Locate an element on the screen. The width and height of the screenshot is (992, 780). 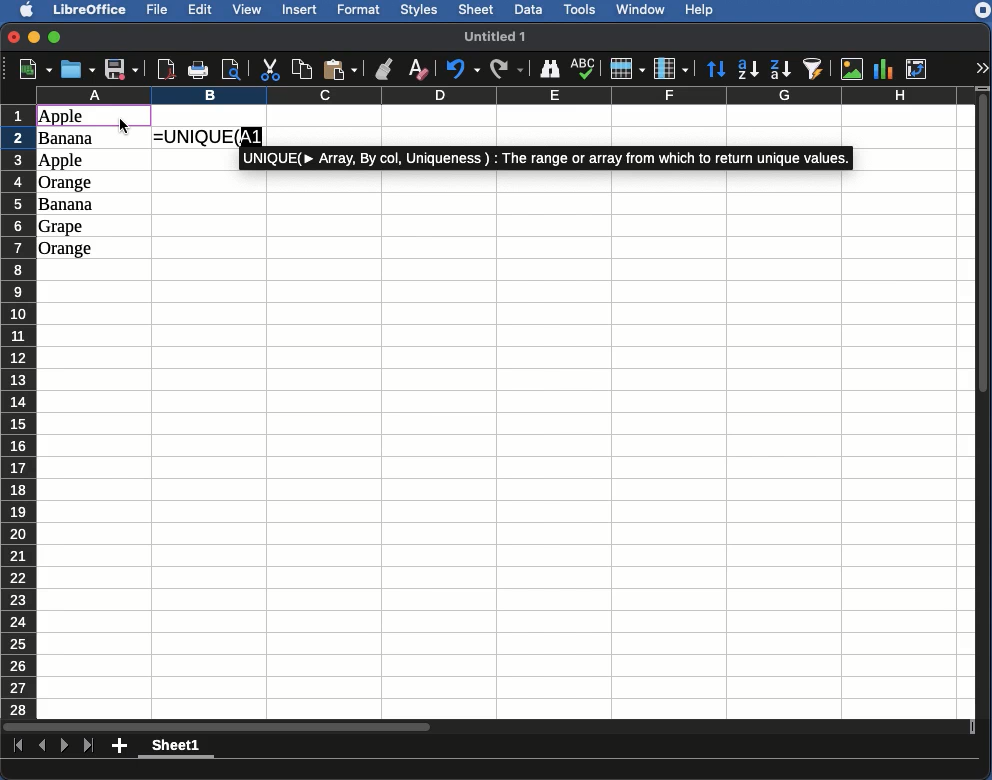
Apple is located at coordinates (63, 161).